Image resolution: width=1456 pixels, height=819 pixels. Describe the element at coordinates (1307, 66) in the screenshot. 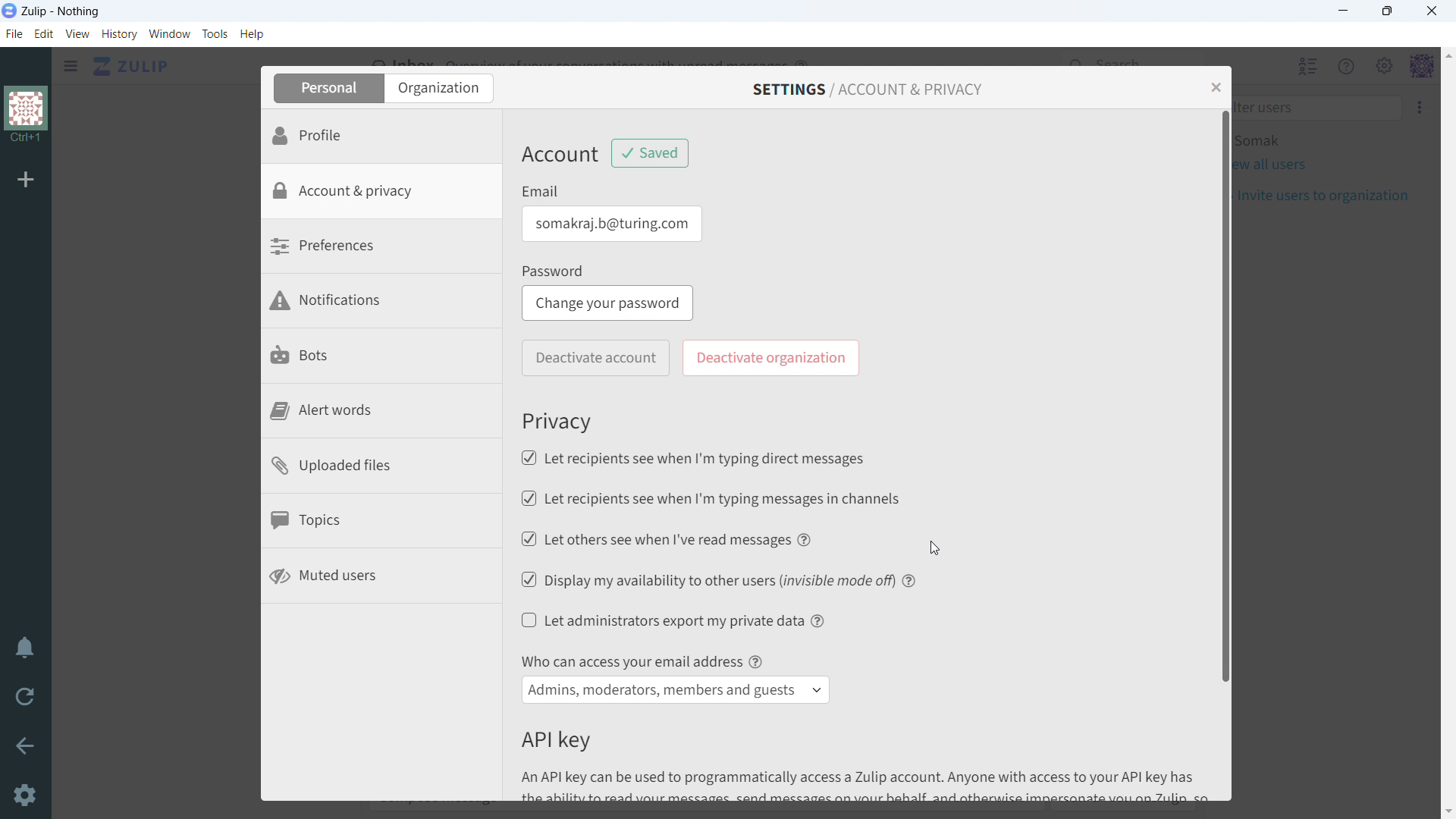

I see `hide all users` at that location.